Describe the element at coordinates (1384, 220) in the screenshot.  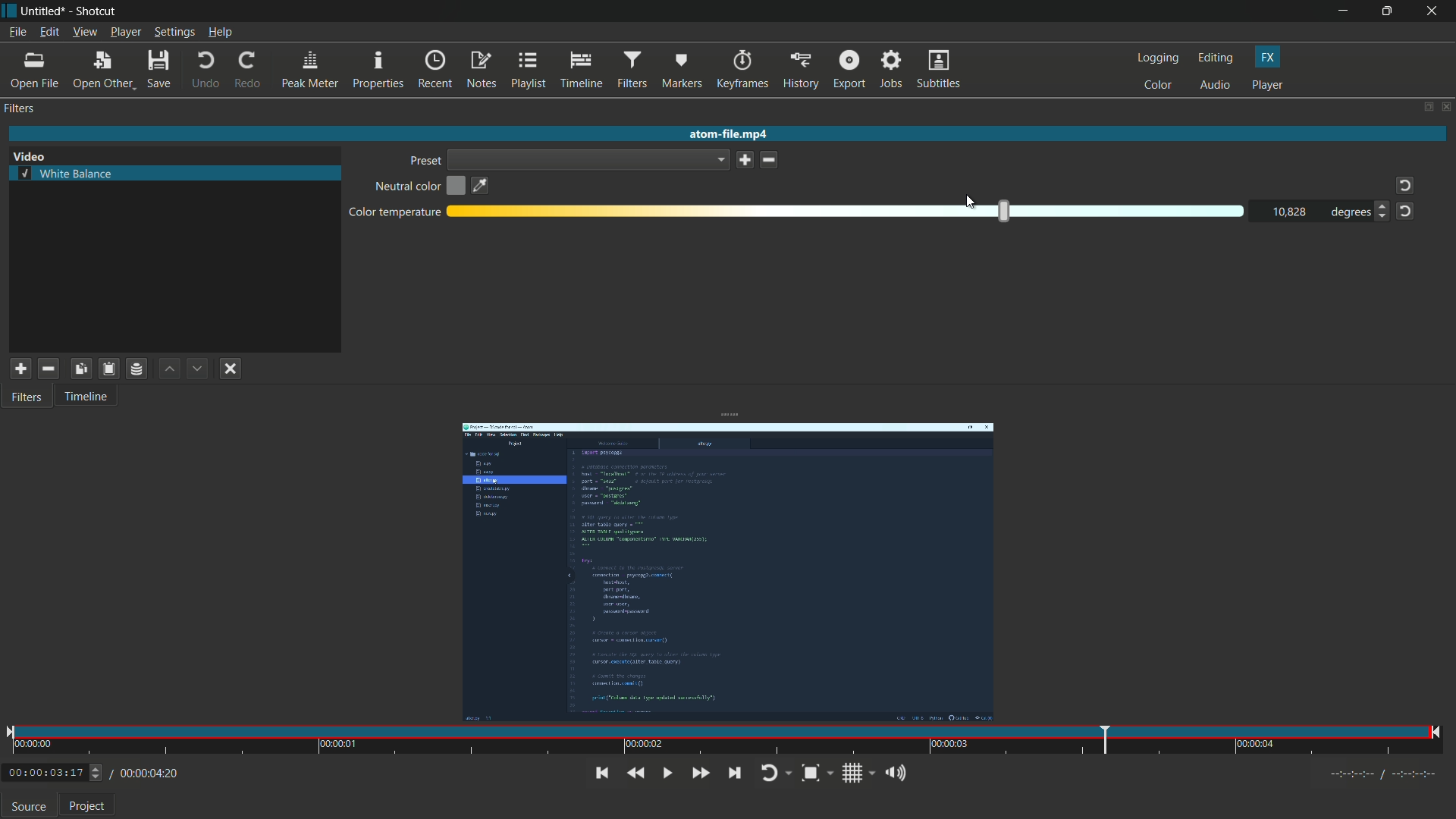
I see `decrease` at that location.